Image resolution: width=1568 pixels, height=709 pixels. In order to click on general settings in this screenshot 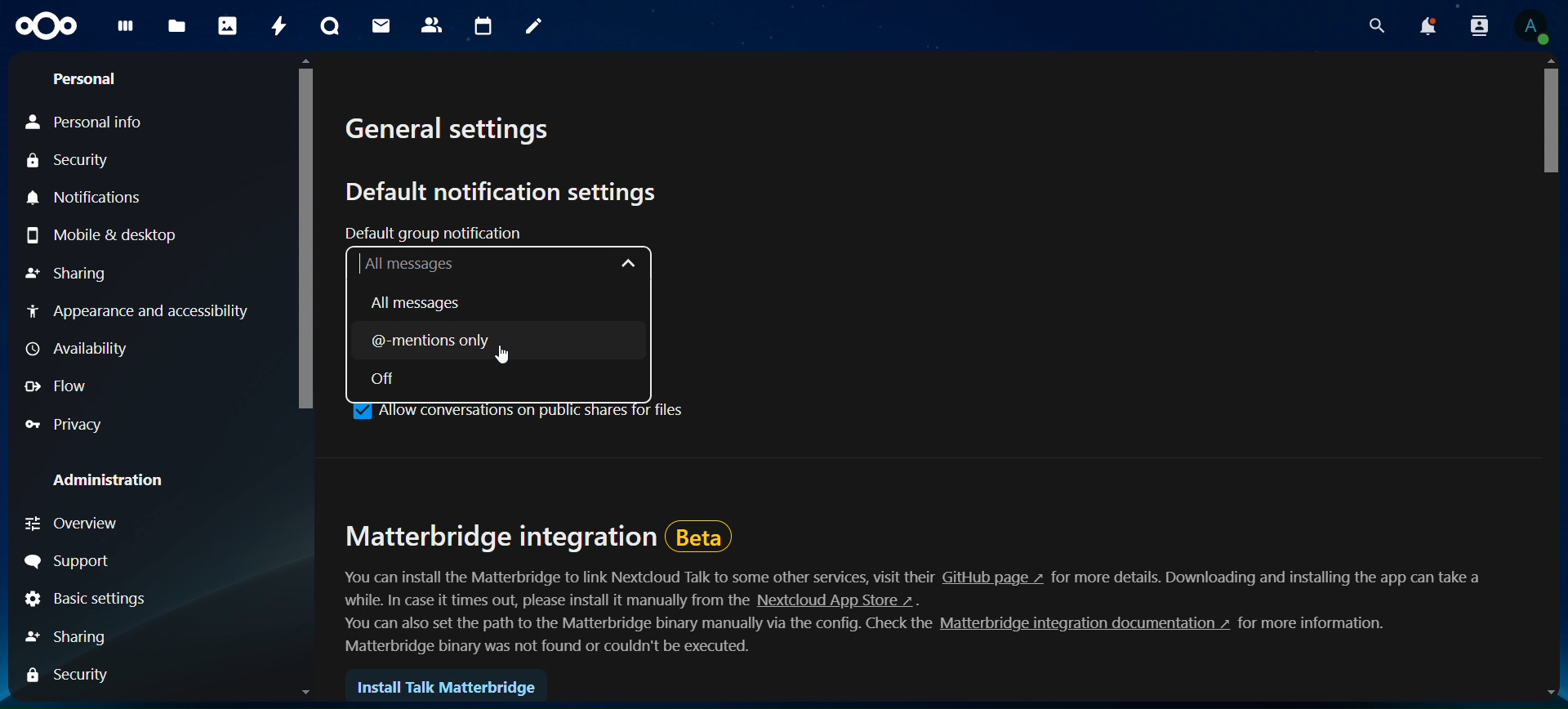, I will do `click(456, 132)`.